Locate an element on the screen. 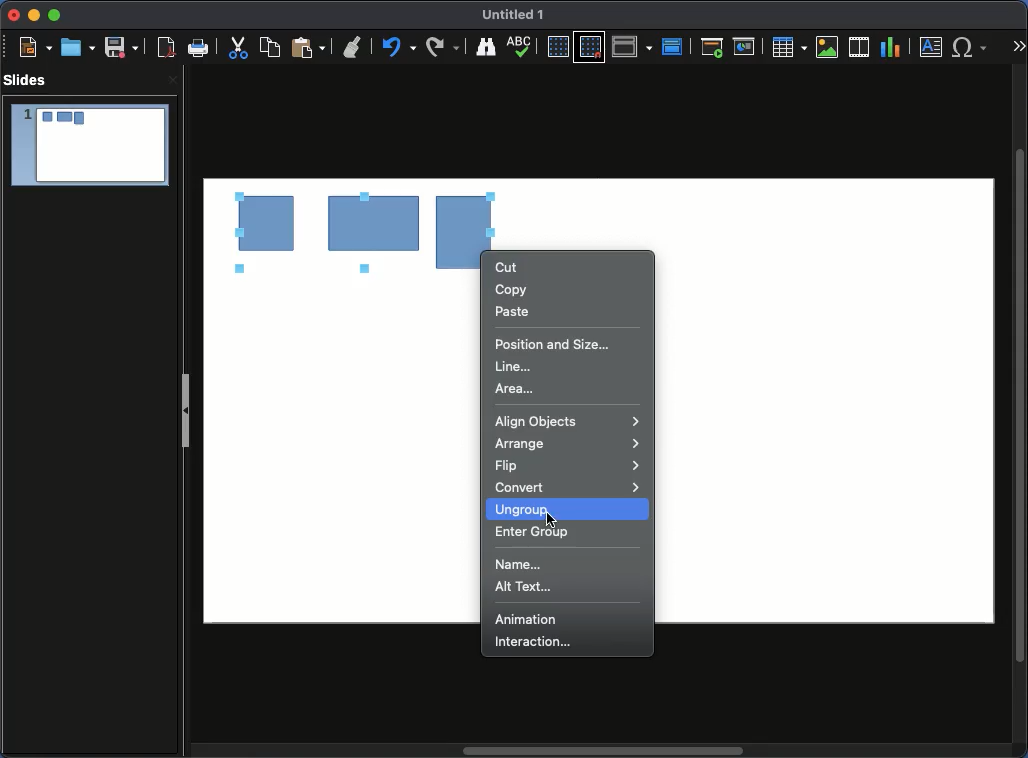 The height and width of the screenshot is (758, 1028). Copy is located at coordinates (270, 47).